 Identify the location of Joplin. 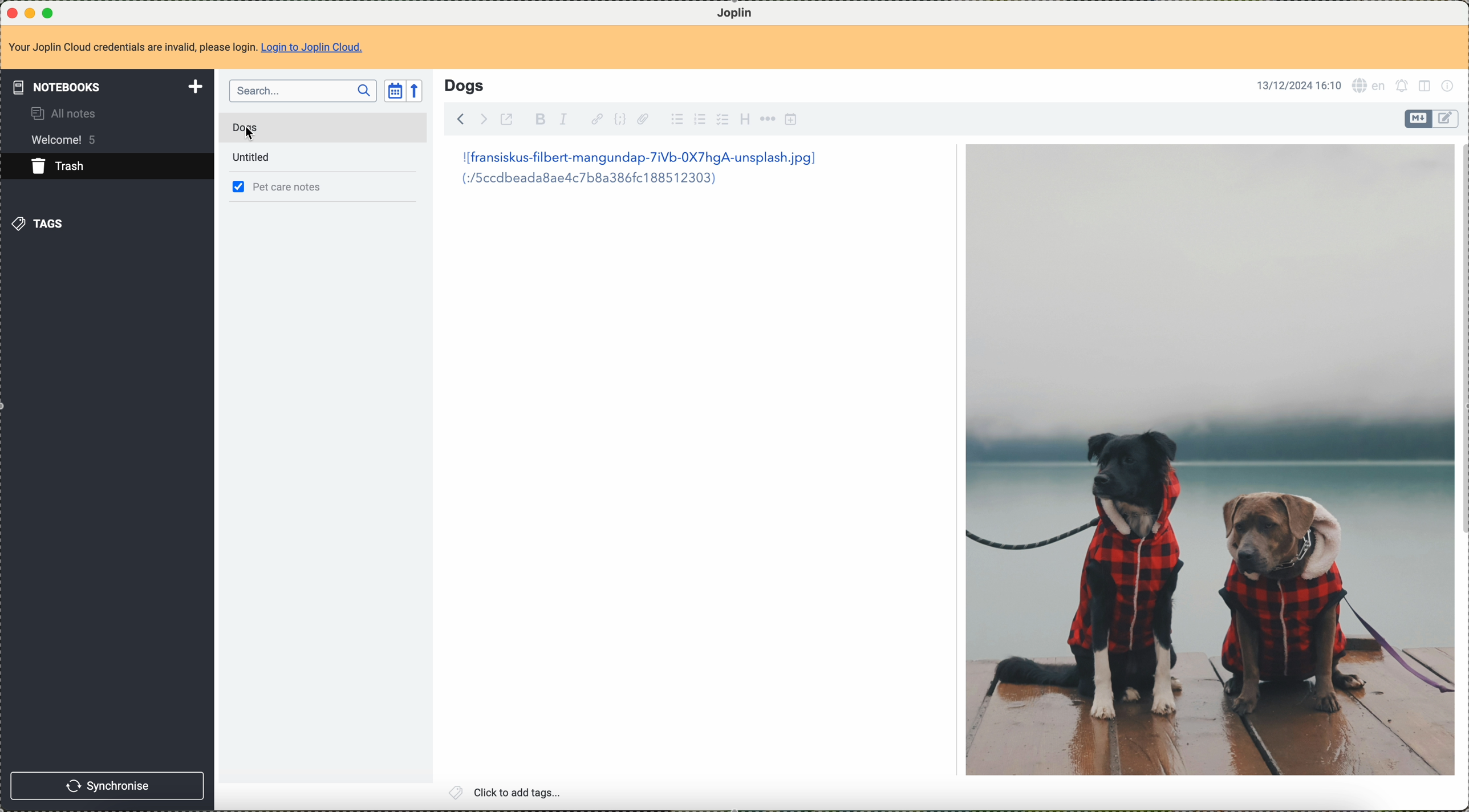
(733, 12).